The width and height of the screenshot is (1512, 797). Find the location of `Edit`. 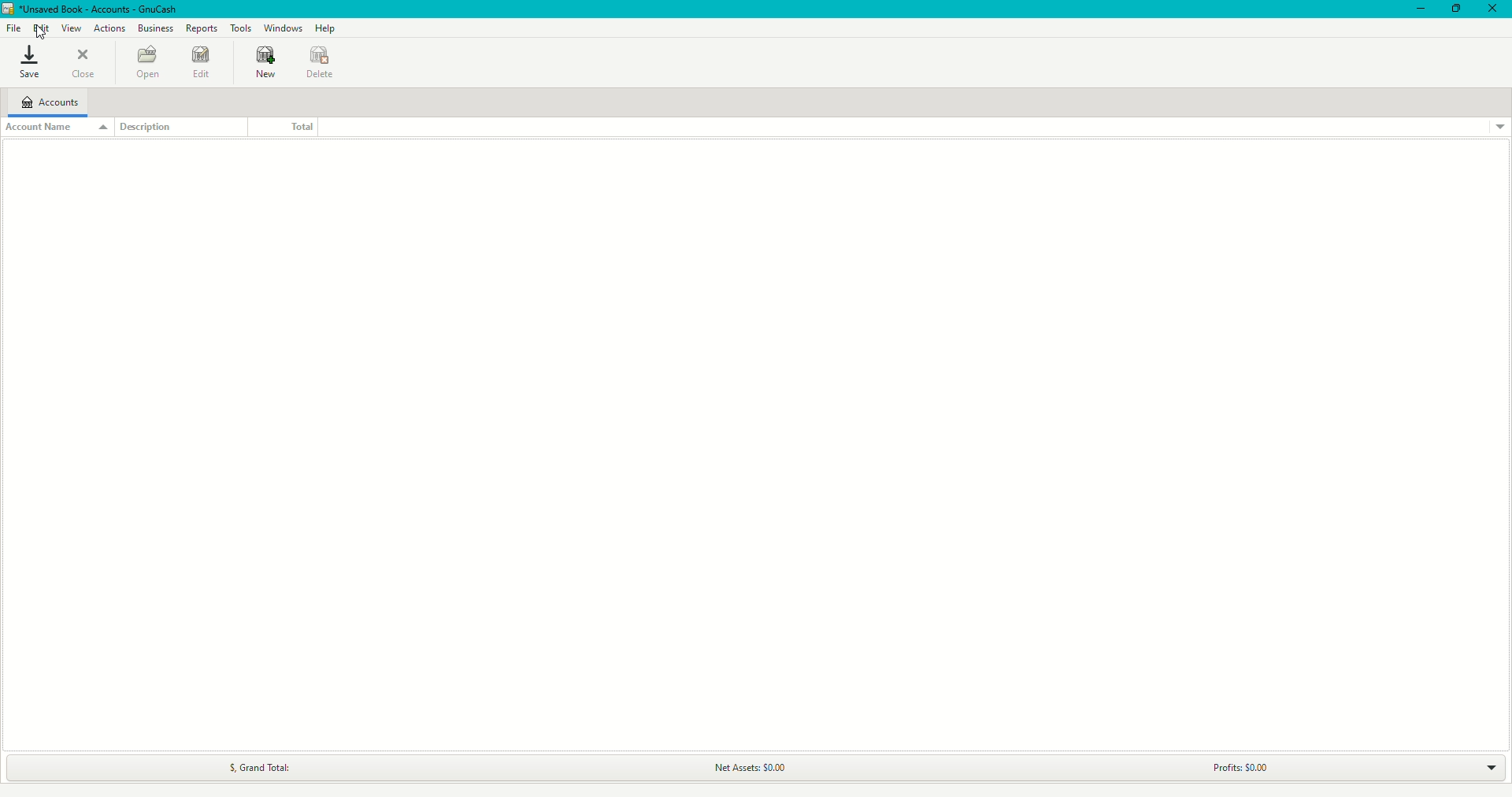

Edit is located at coordinates (200, 65).